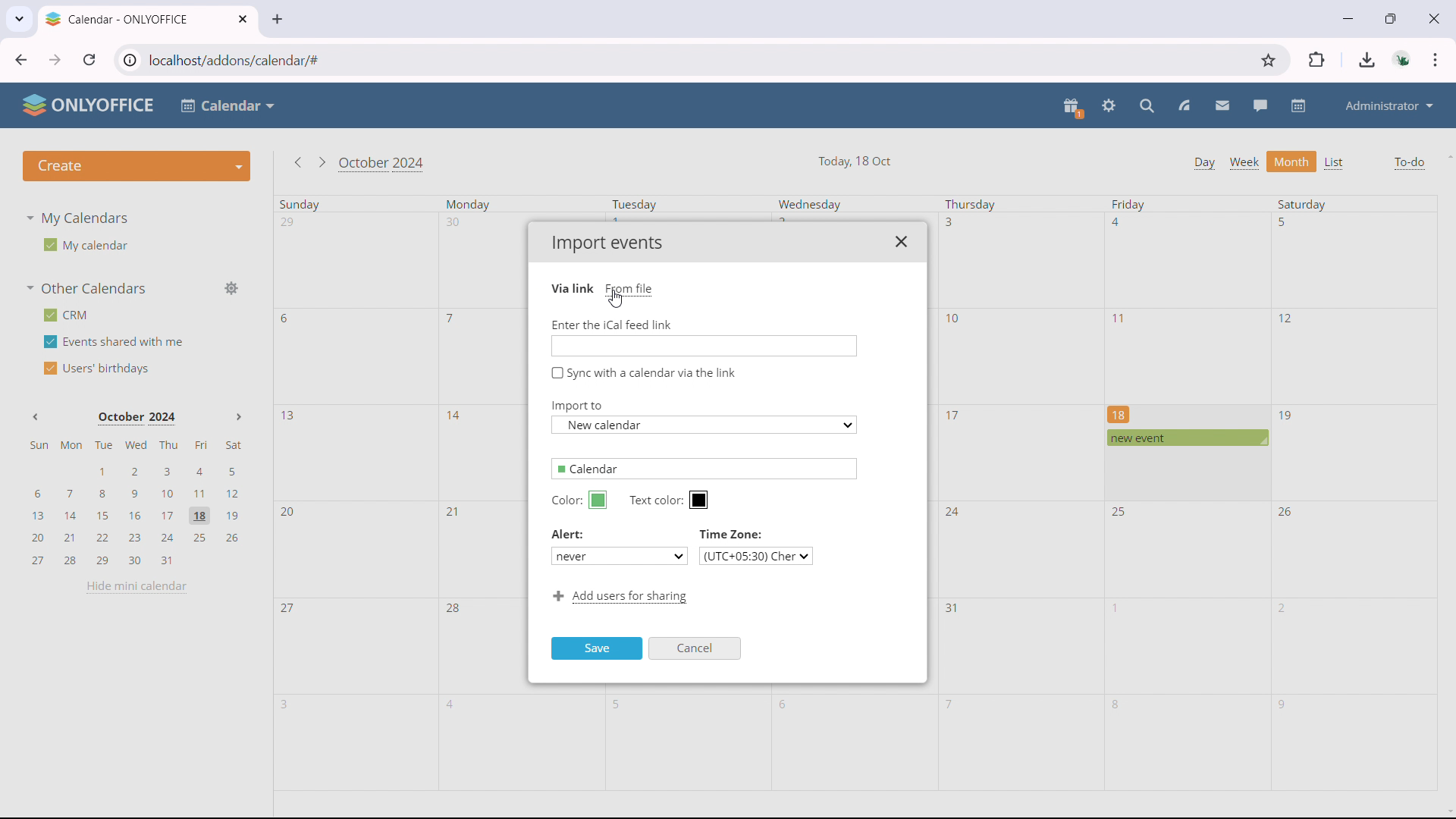 The width and height of the screenshot is (1456, 819). What do you see at coordinates (596, 648) in the screenshot?
I see `Save` at bounding box center [596, 648].